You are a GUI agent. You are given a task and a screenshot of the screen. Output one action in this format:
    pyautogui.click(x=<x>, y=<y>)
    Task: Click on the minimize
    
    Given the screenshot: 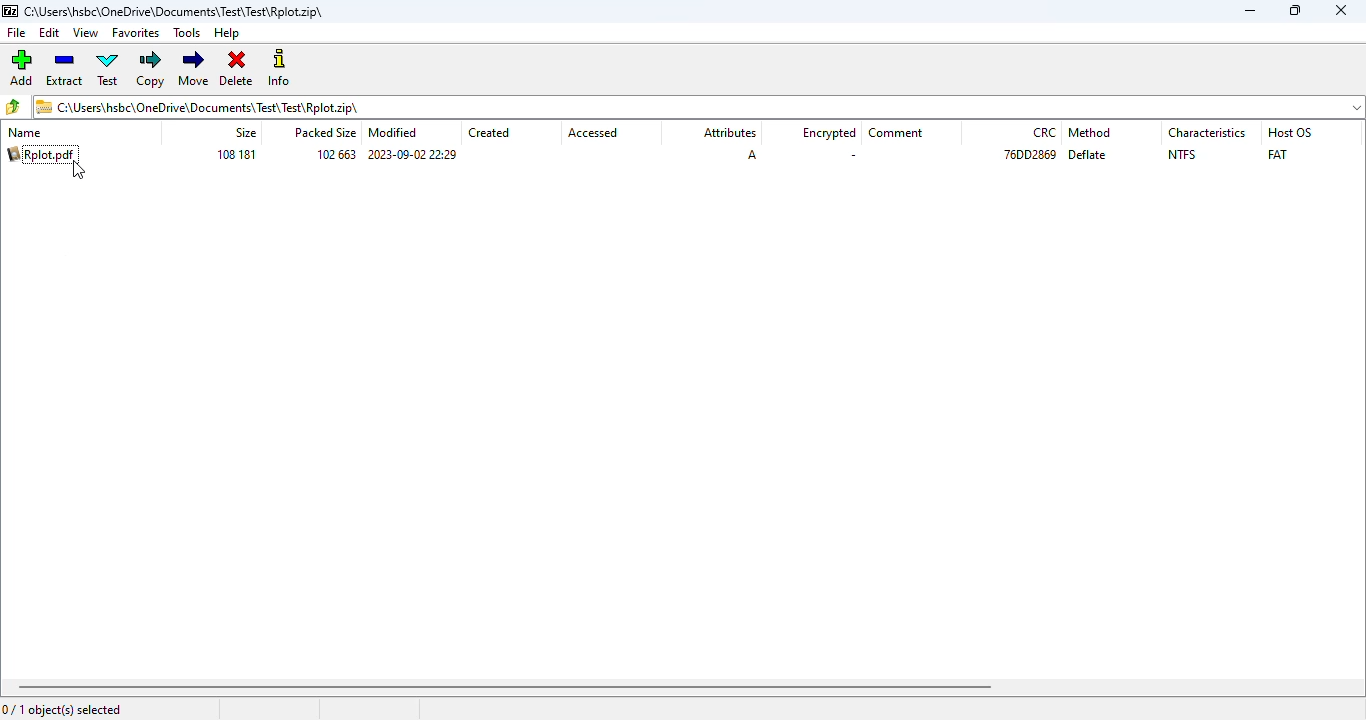 What is the action you would take?
    pyautogui.click(x=1249, y=11)
    